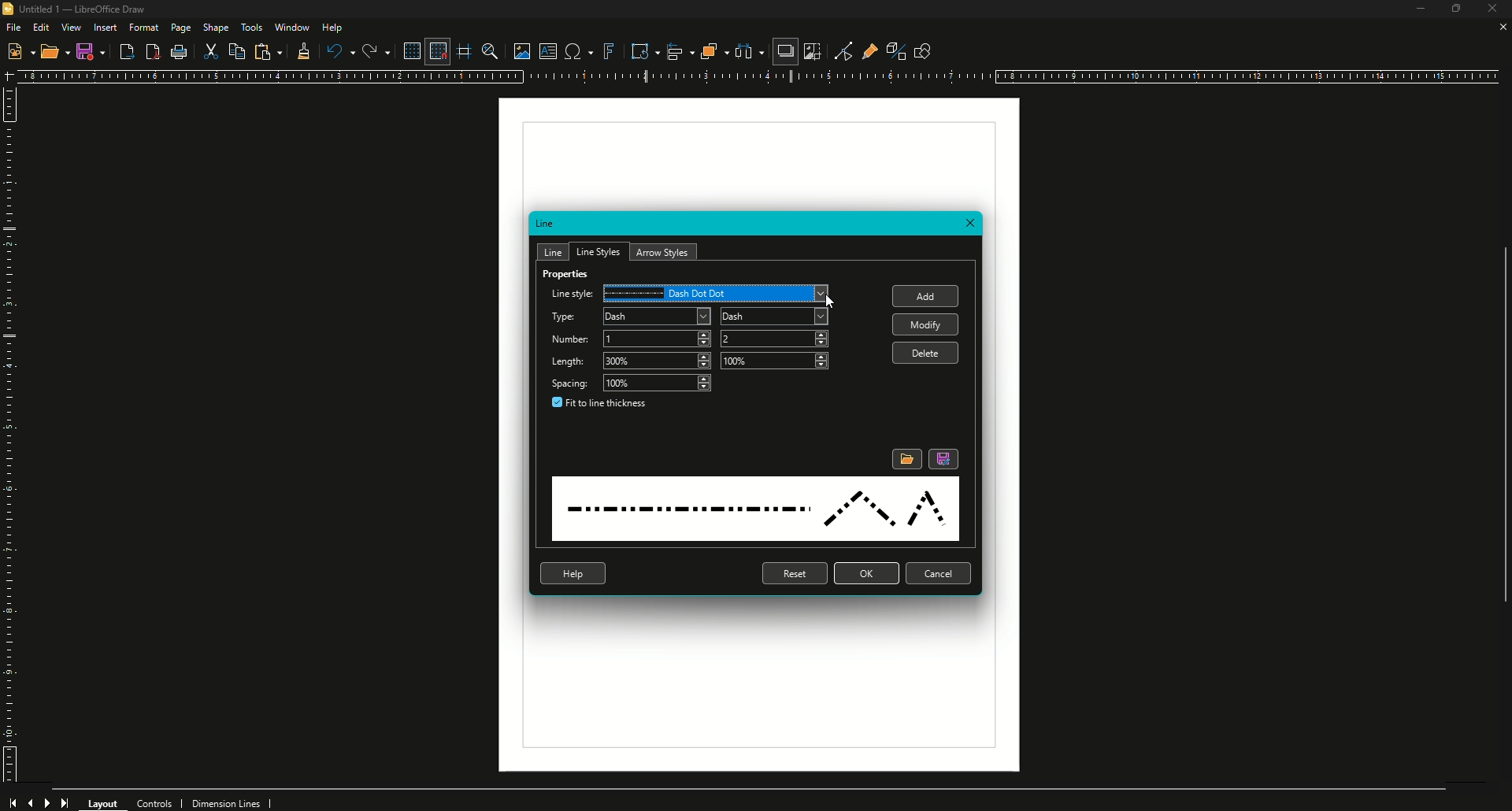  What do you see at coordinates (465, 51) in the screenshot?
I see `Helplines` at bounding box center [465, 51].